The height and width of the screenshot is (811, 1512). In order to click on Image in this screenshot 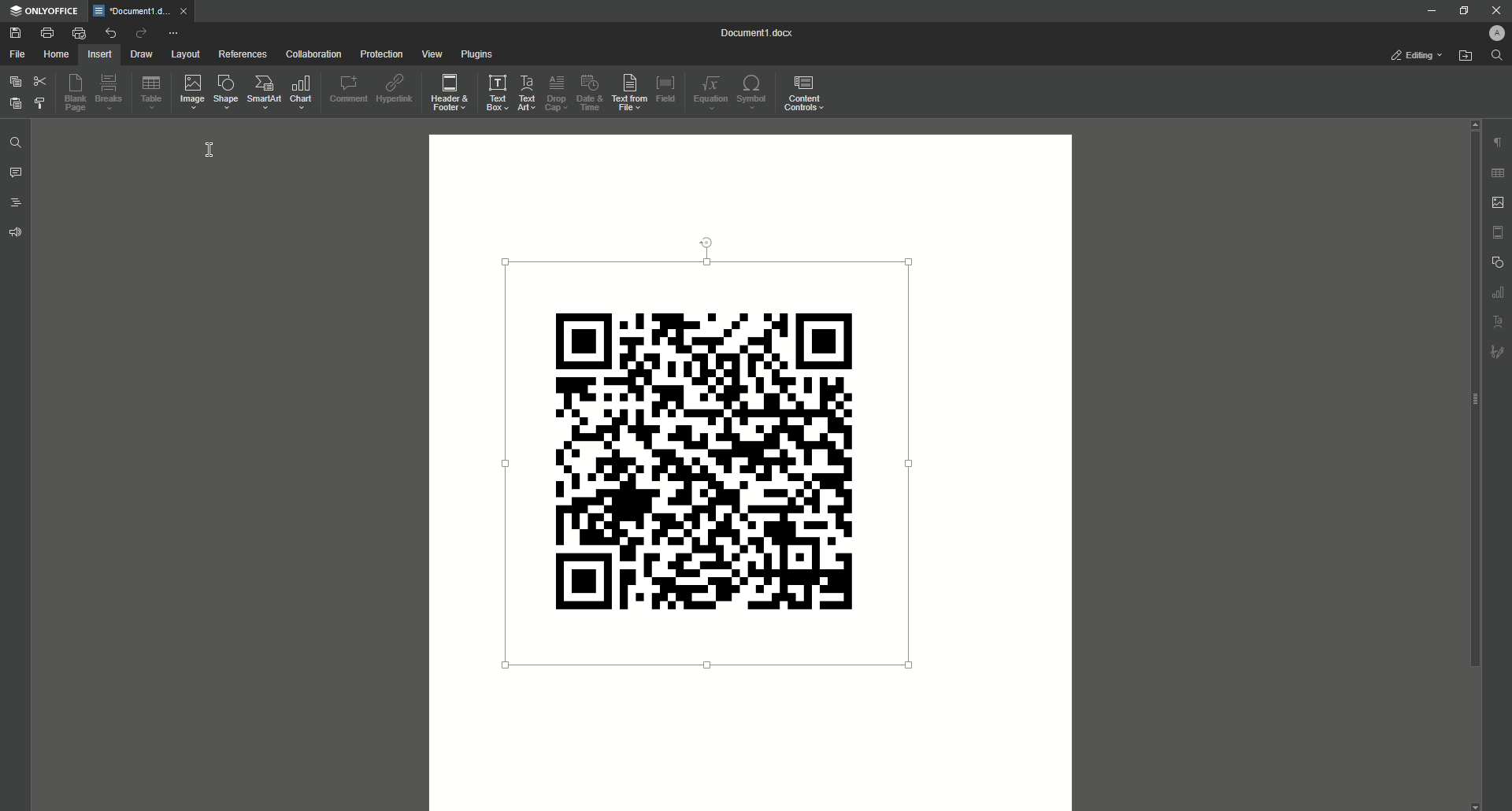, I will do `click(190, 94)`.